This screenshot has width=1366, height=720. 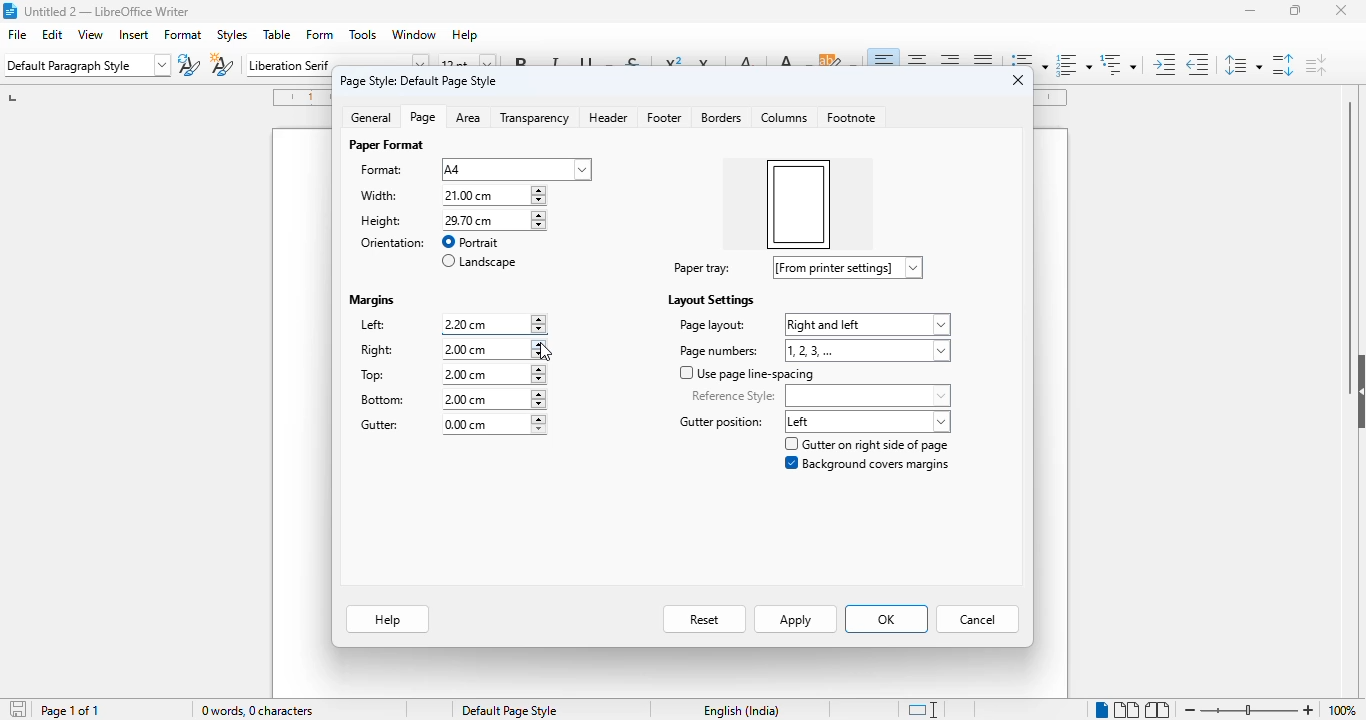 I want to click on height input box, so click(x=475, y=220).